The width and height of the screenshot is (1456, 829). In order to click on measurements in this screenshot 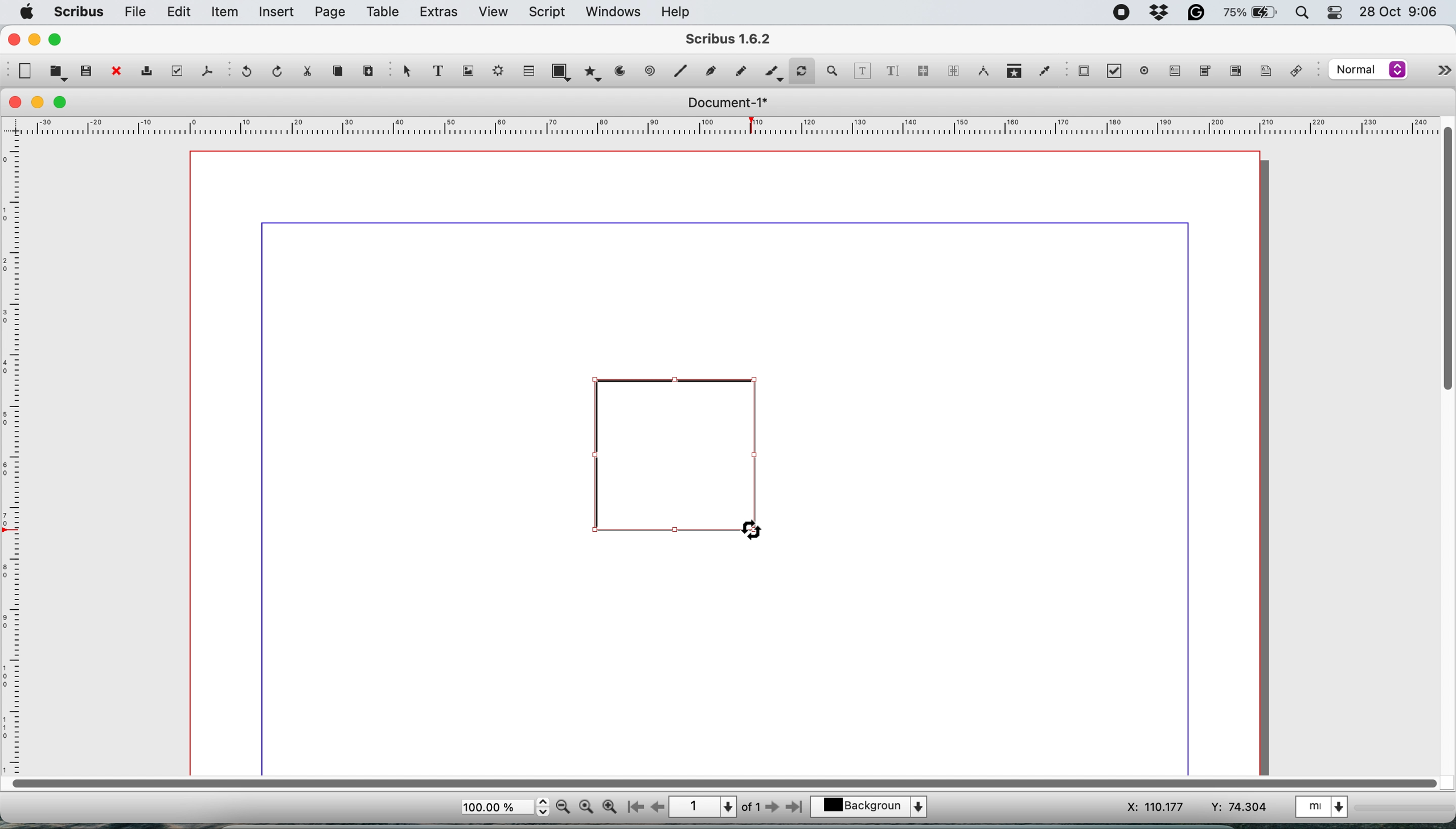, I will do `click(982, 72)`.